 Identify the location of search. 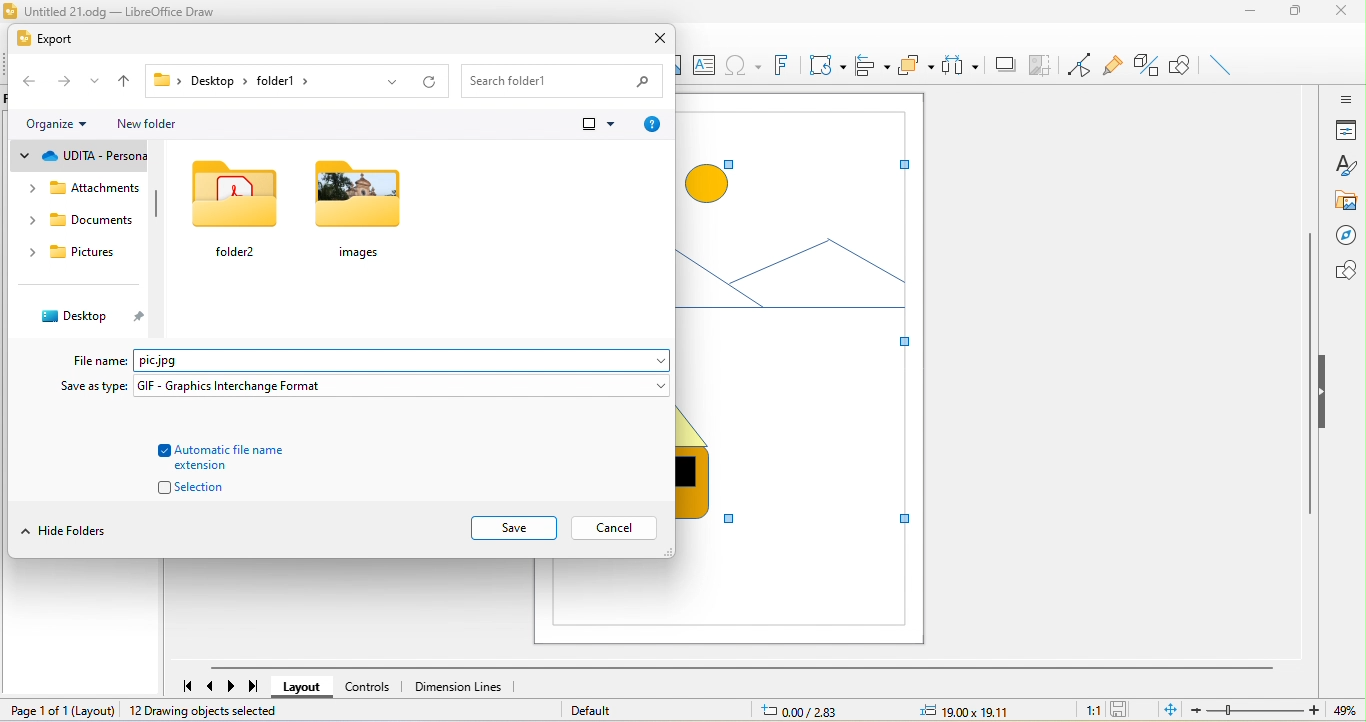
(563, 79).